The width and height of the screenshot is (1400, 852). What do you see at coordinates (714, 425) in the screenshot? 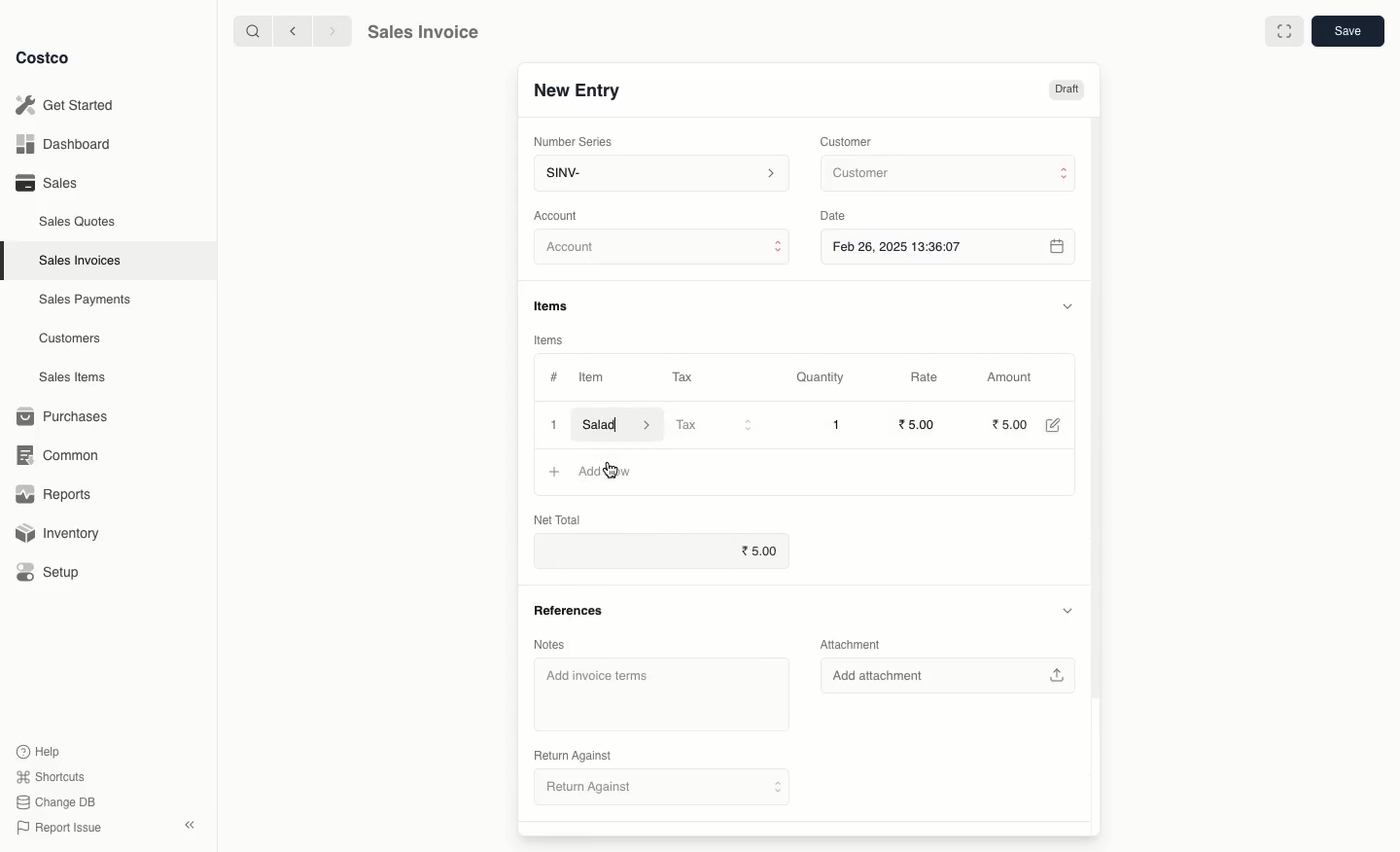
I see `Tax` at bounding box center [714, 425].